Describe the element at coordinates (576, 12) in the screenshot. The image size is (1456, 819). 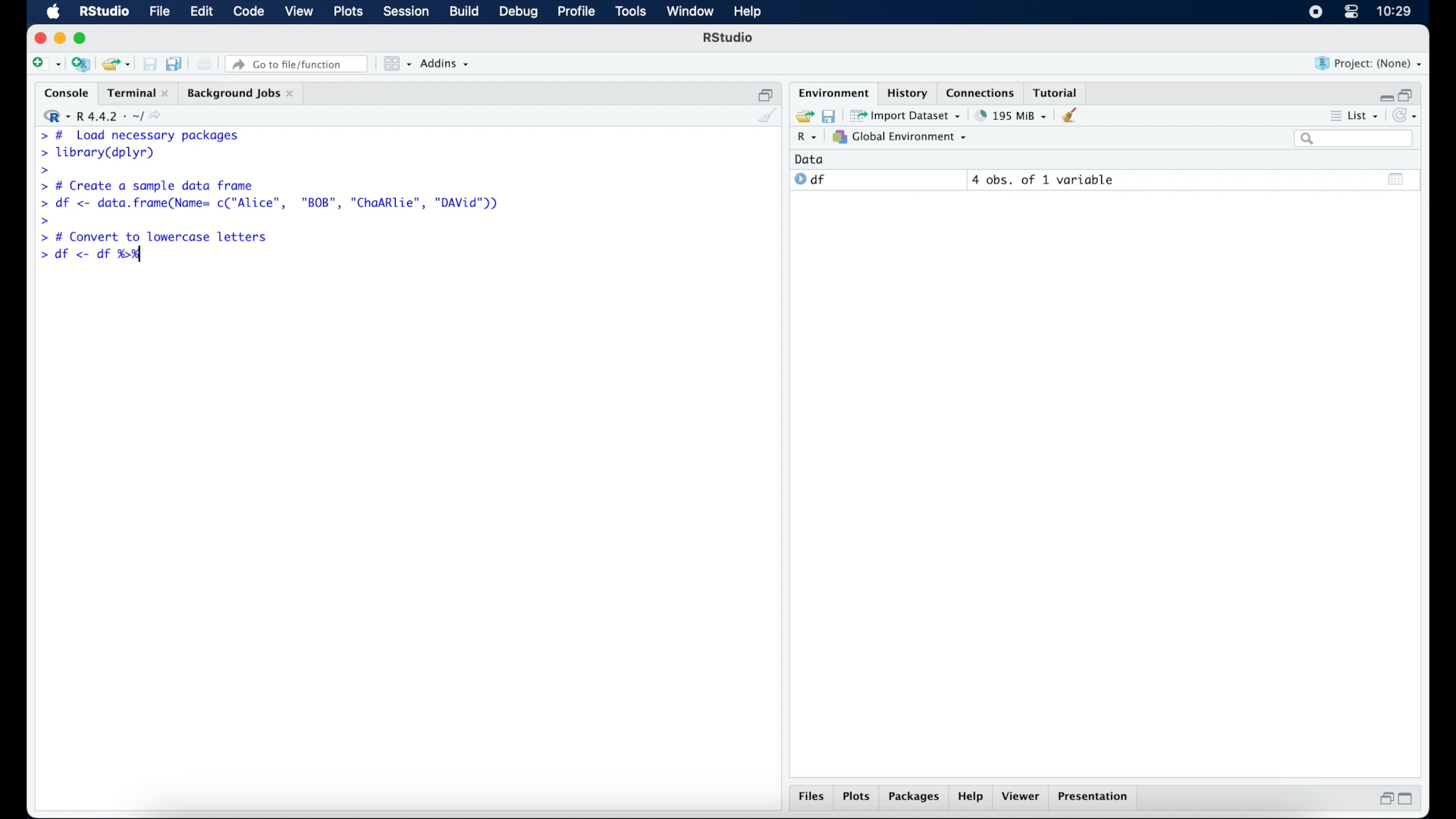
I see `profile` at that location.